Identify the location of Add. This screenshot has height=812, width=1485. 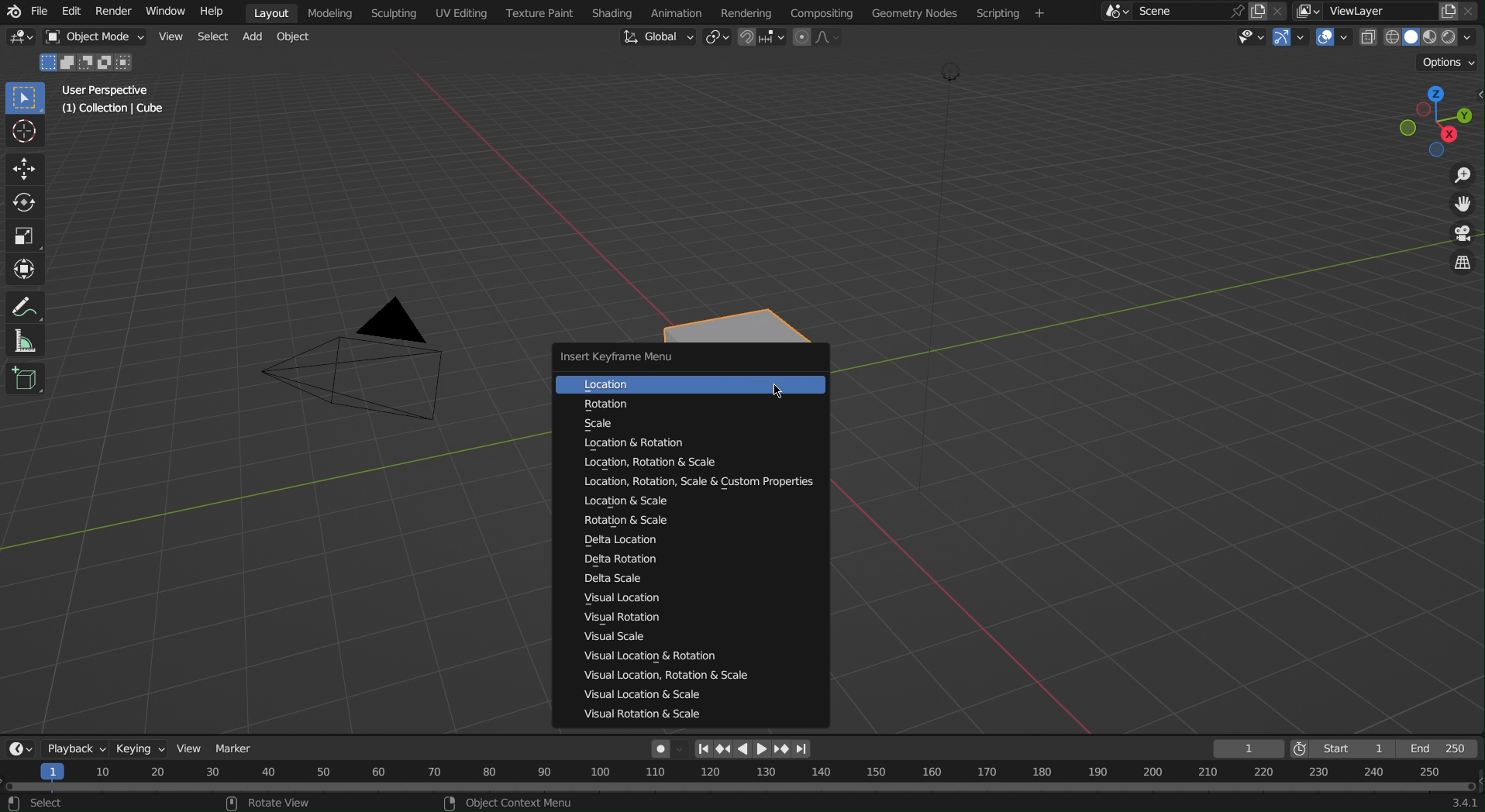
(253, 37).